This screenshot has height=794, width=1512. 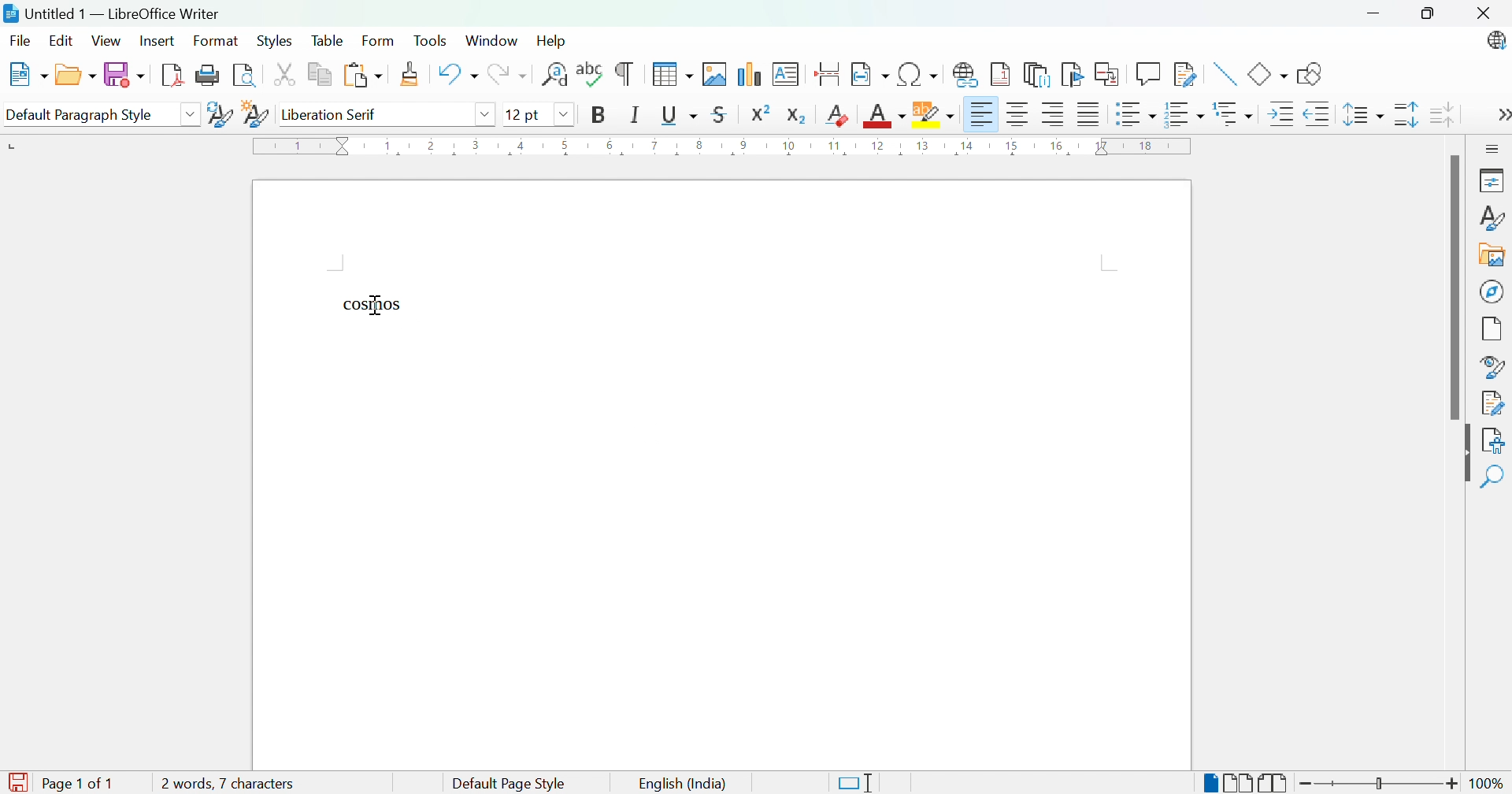 What do you see at coordinates (60, 783) in the screenshot?
I see `Page 1 of 1` at bounding box center [60, 783].